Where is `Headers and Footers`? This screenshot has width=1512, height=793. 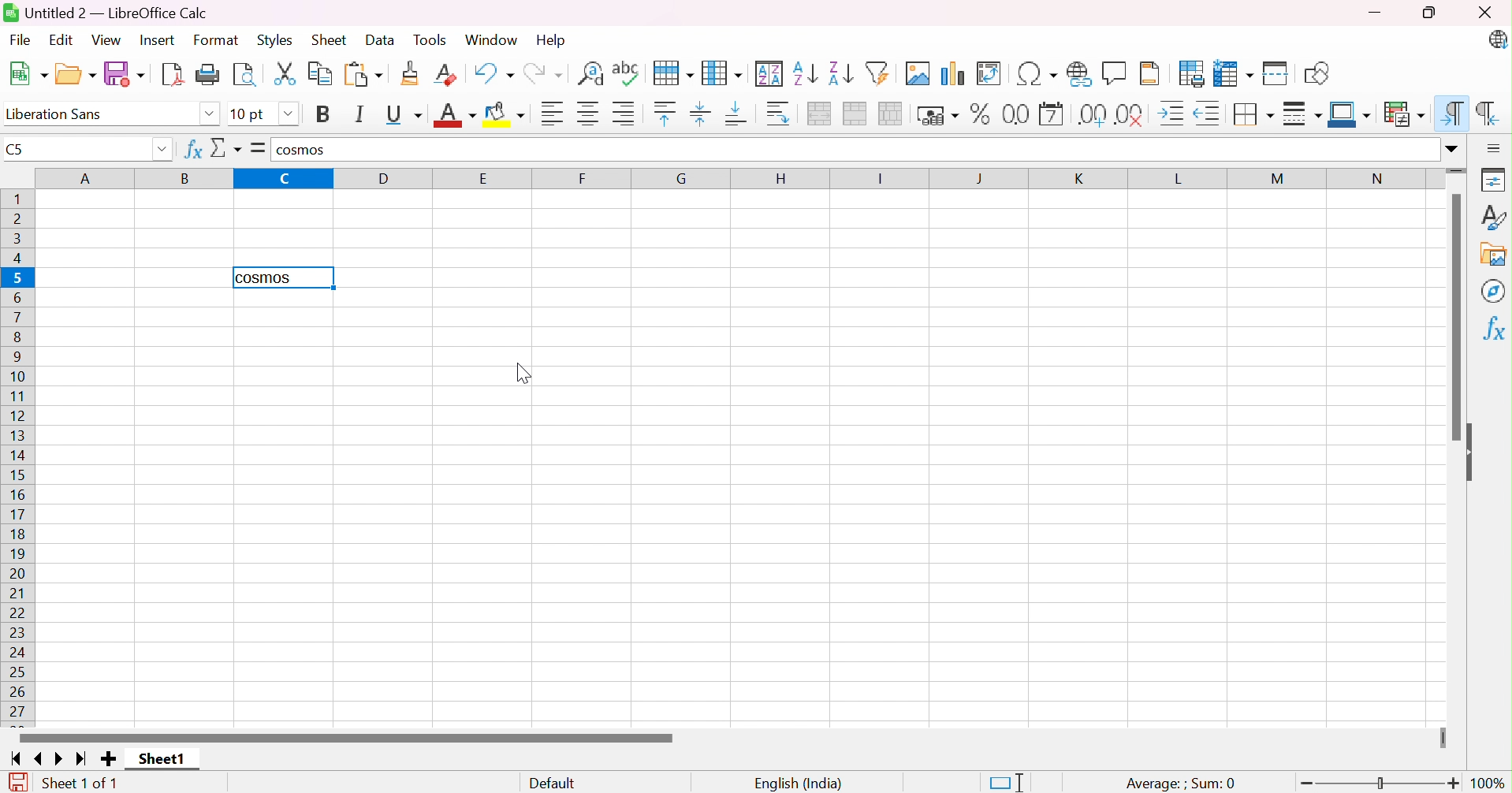 Headers and Footers is located at coordinates (1152, 73).